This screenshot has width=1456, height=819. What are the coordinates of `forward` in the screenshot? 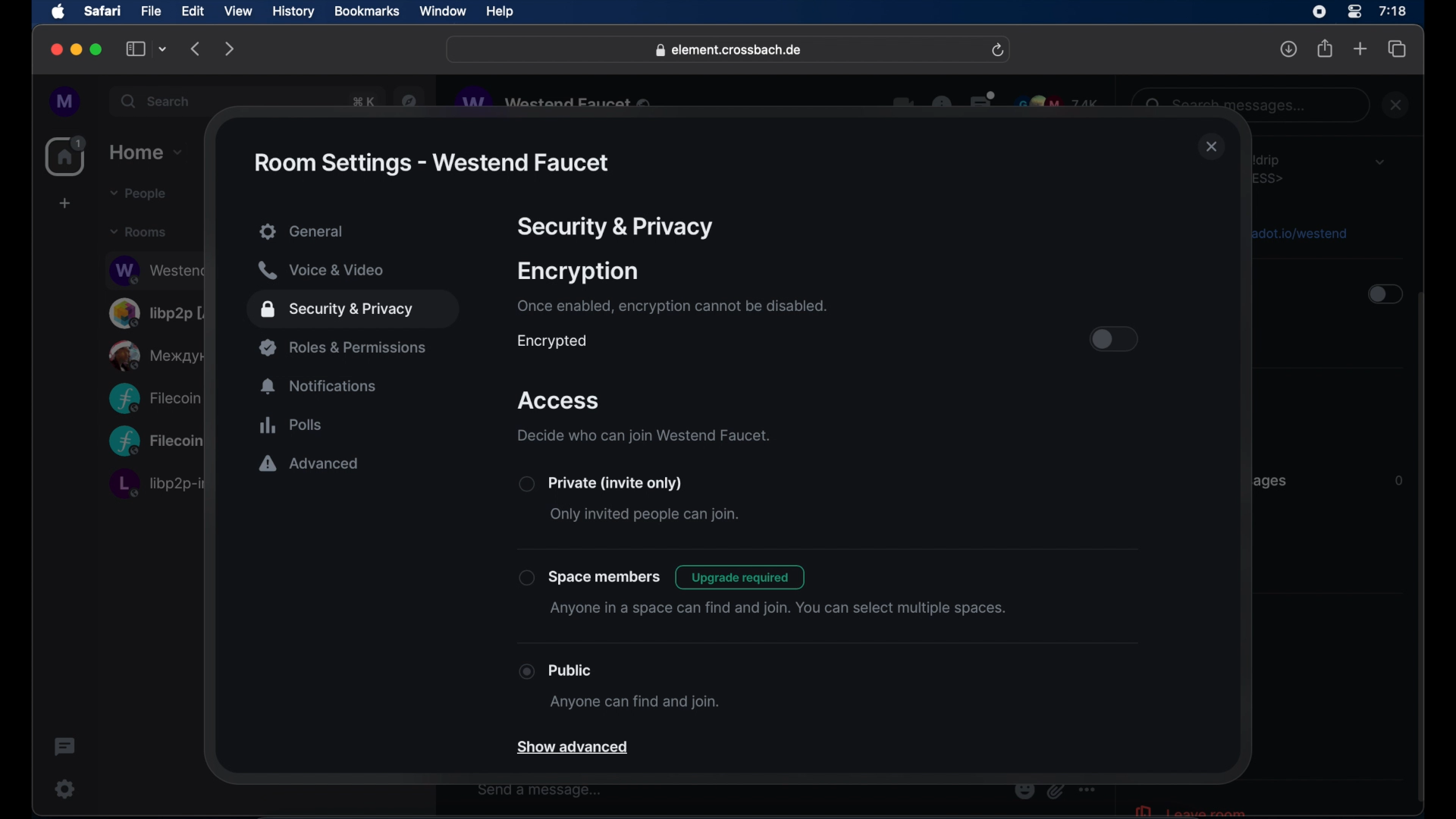 It's located at (230, 49).